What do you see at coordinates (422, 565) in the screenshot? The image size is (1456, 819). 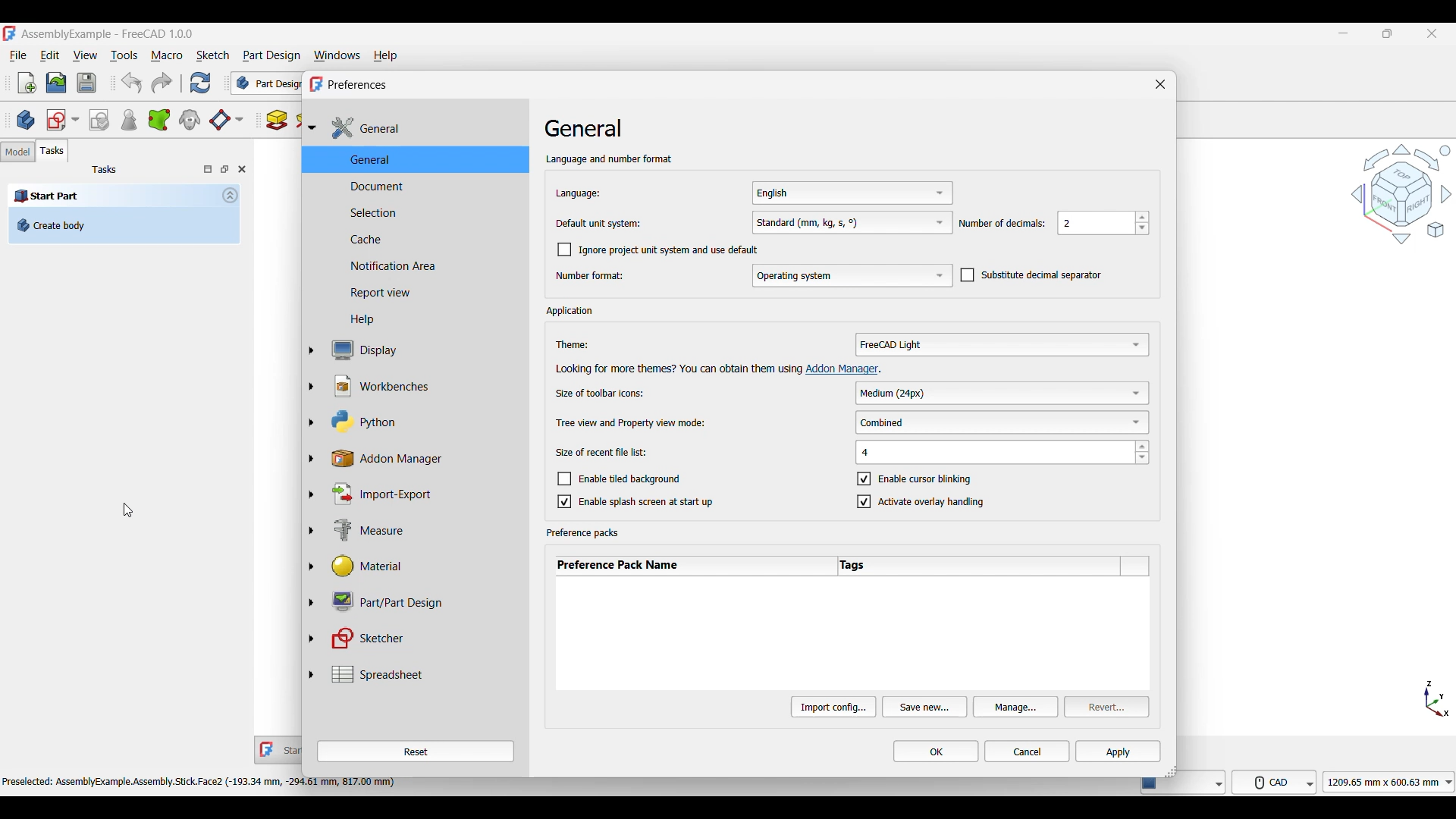 I see `Material` at bounding box center [422, 565].